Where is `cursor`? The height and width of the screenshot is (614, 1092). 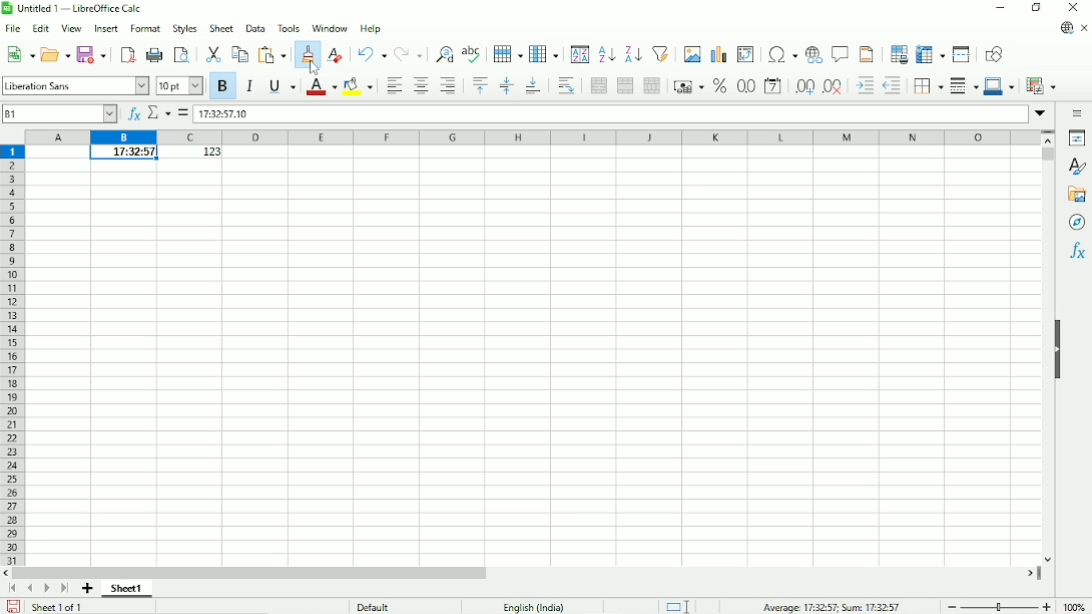 cursor is located at coordinates (314, 67).